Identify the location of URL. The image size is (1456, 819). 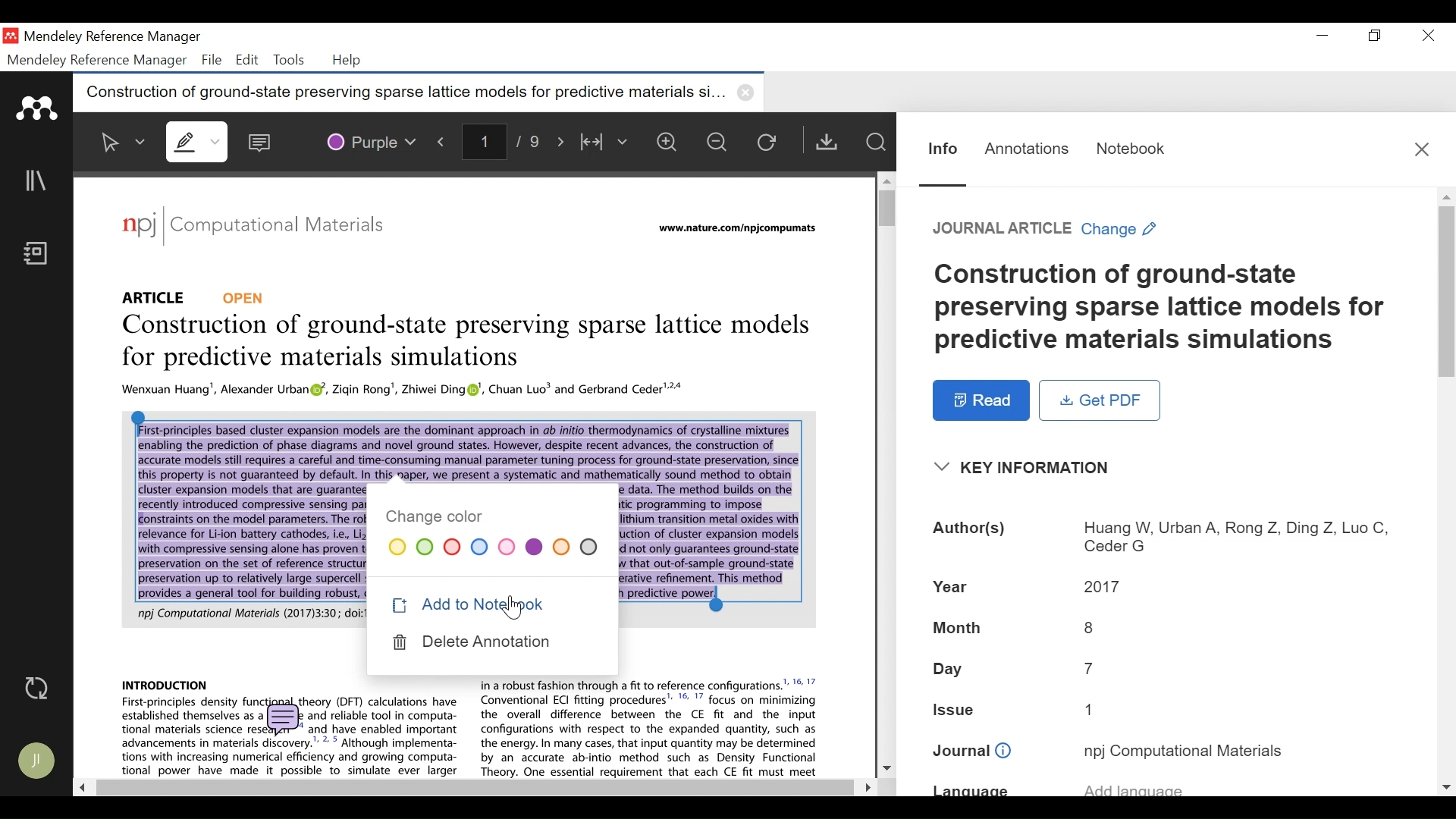
(740, 229).